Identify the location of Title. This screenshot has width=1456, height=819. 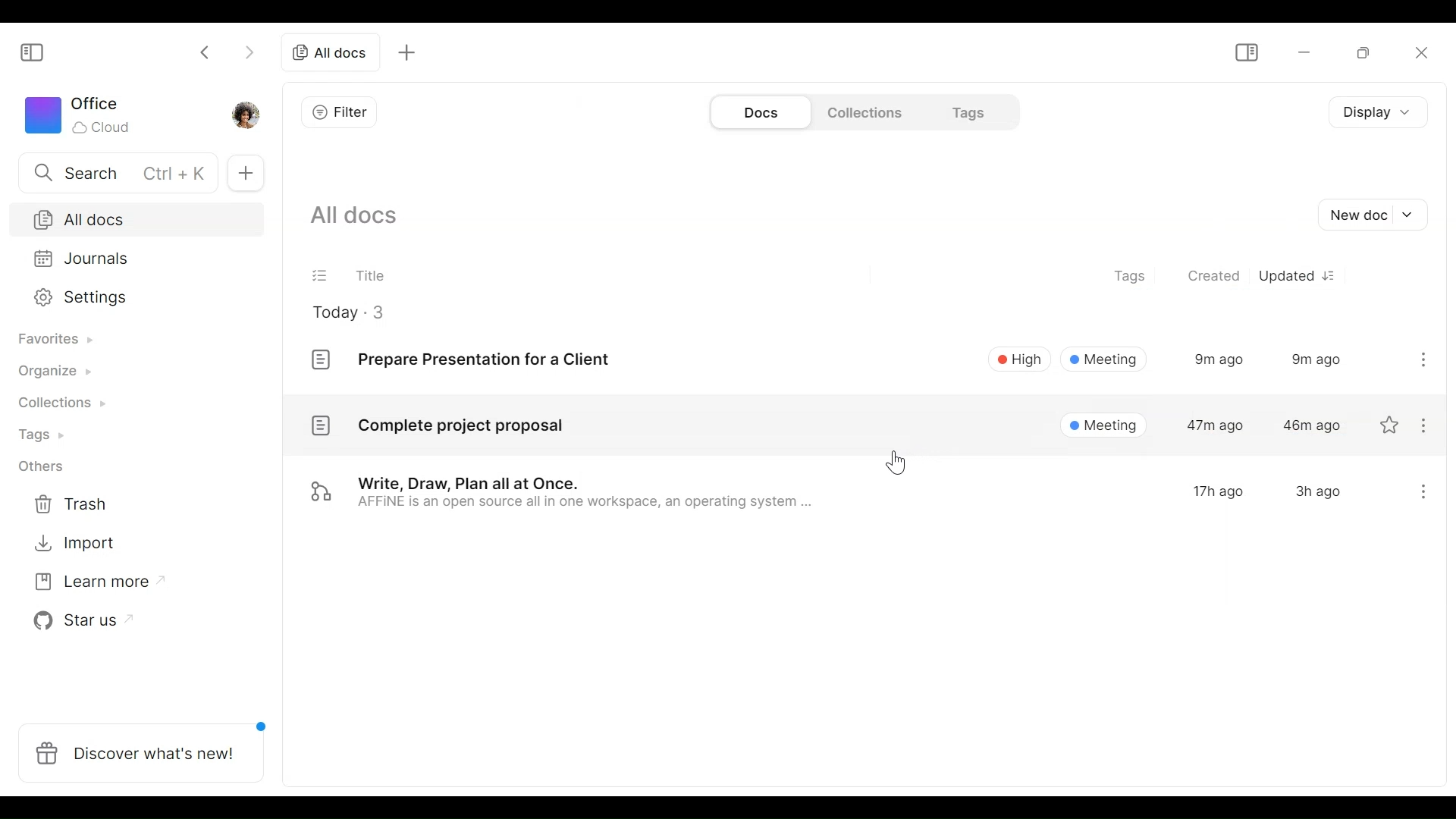
(371, 276).